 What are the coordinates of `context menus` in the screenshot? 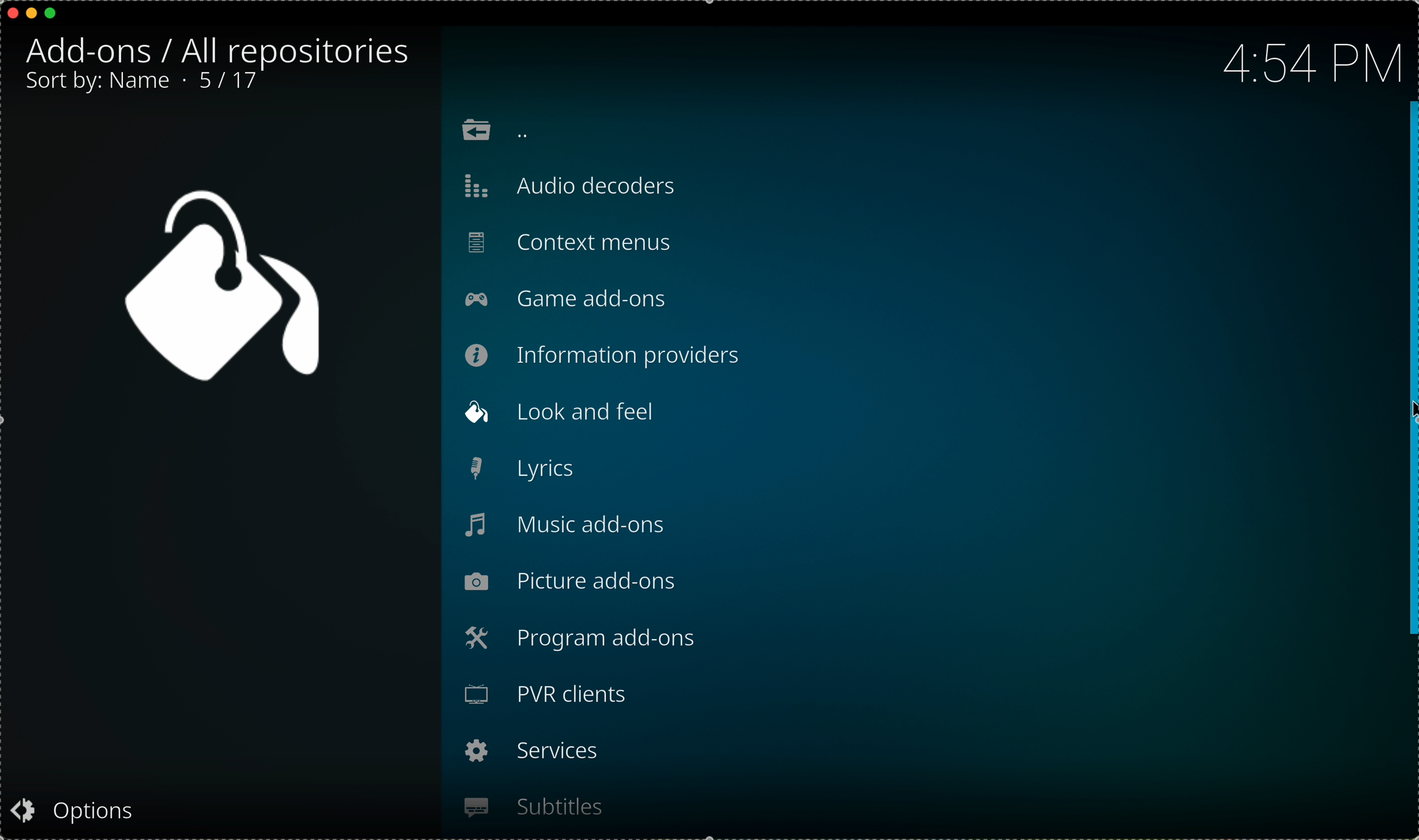 It's located at (571, 243).